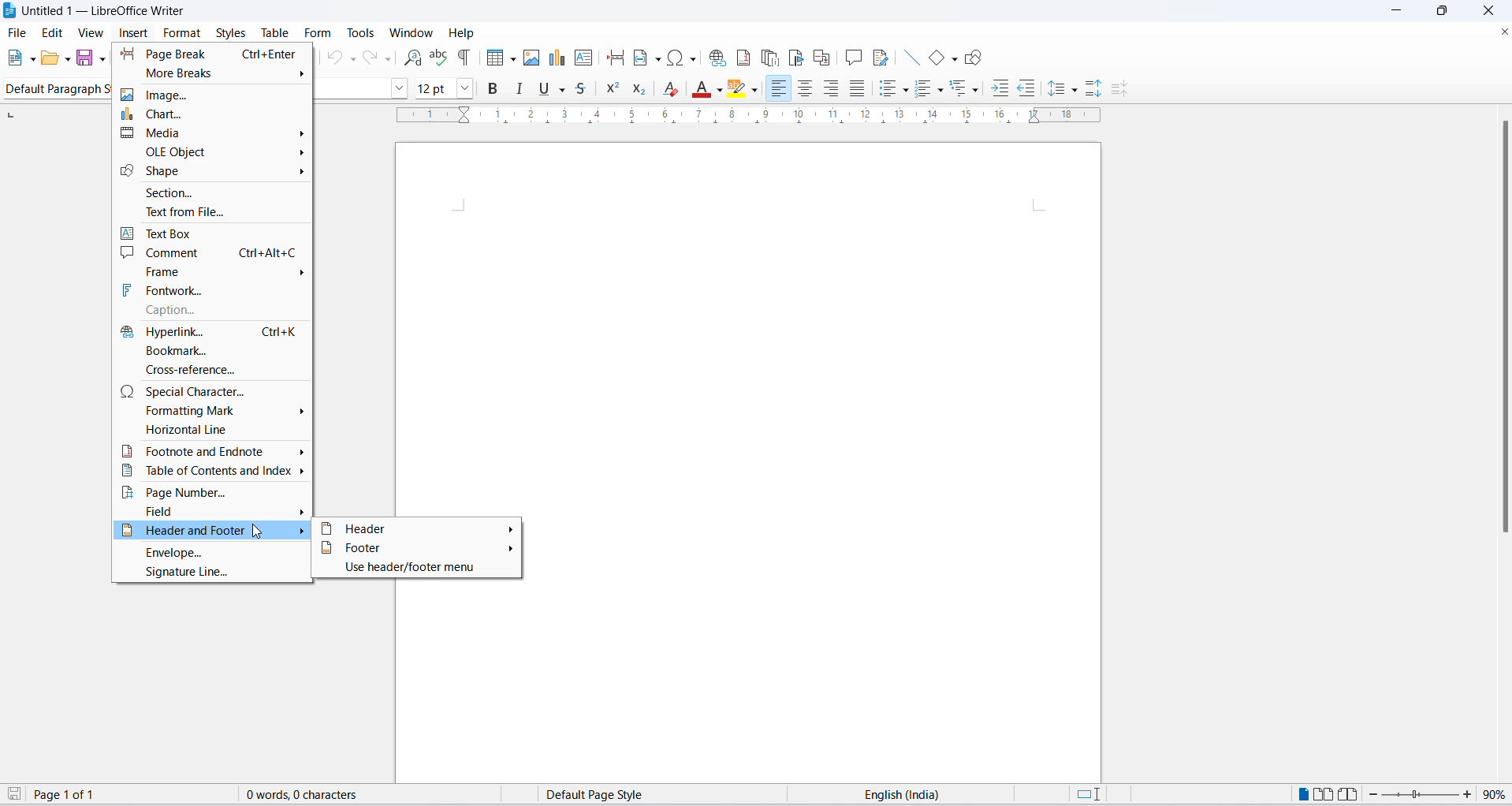 The width and height of the screenshot is (1512, 806). Describe the element at coordinates (435, 88) in the screenshot. I see `font size` at that location.